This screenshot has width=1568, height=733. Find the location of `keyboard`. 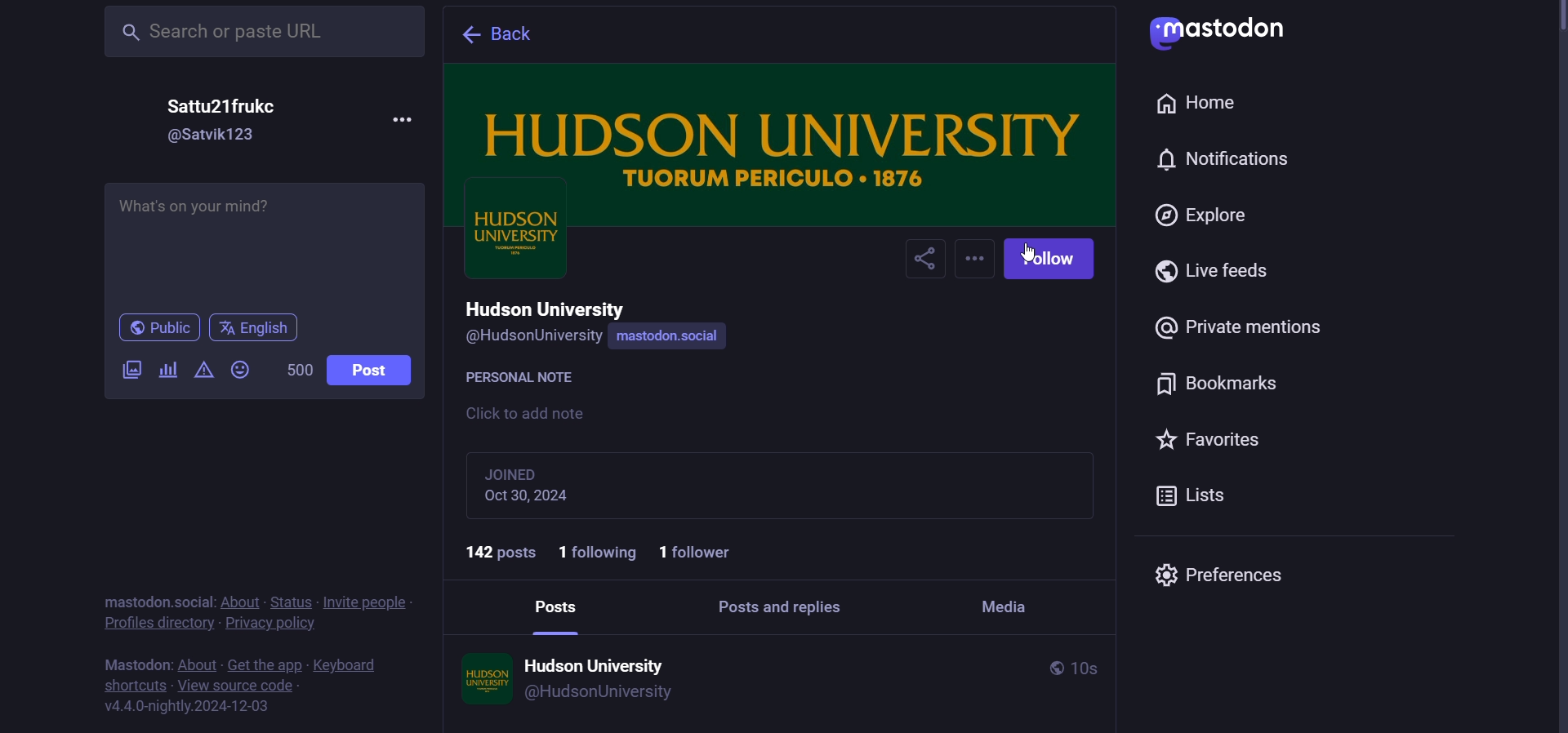

keyboard is located at coordinates (348, 665).